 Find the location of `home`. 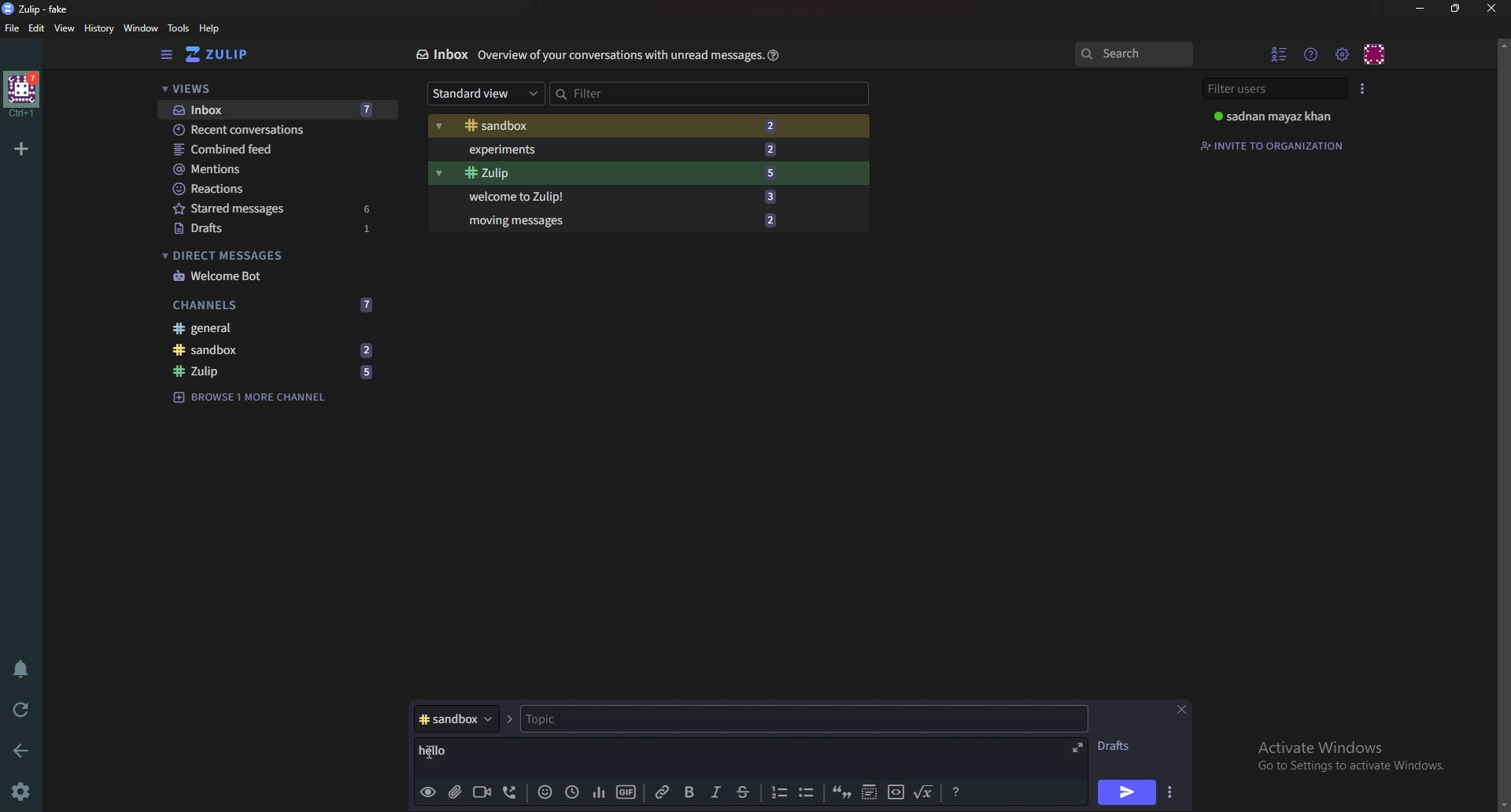

home is located at coordinates (21, 94).